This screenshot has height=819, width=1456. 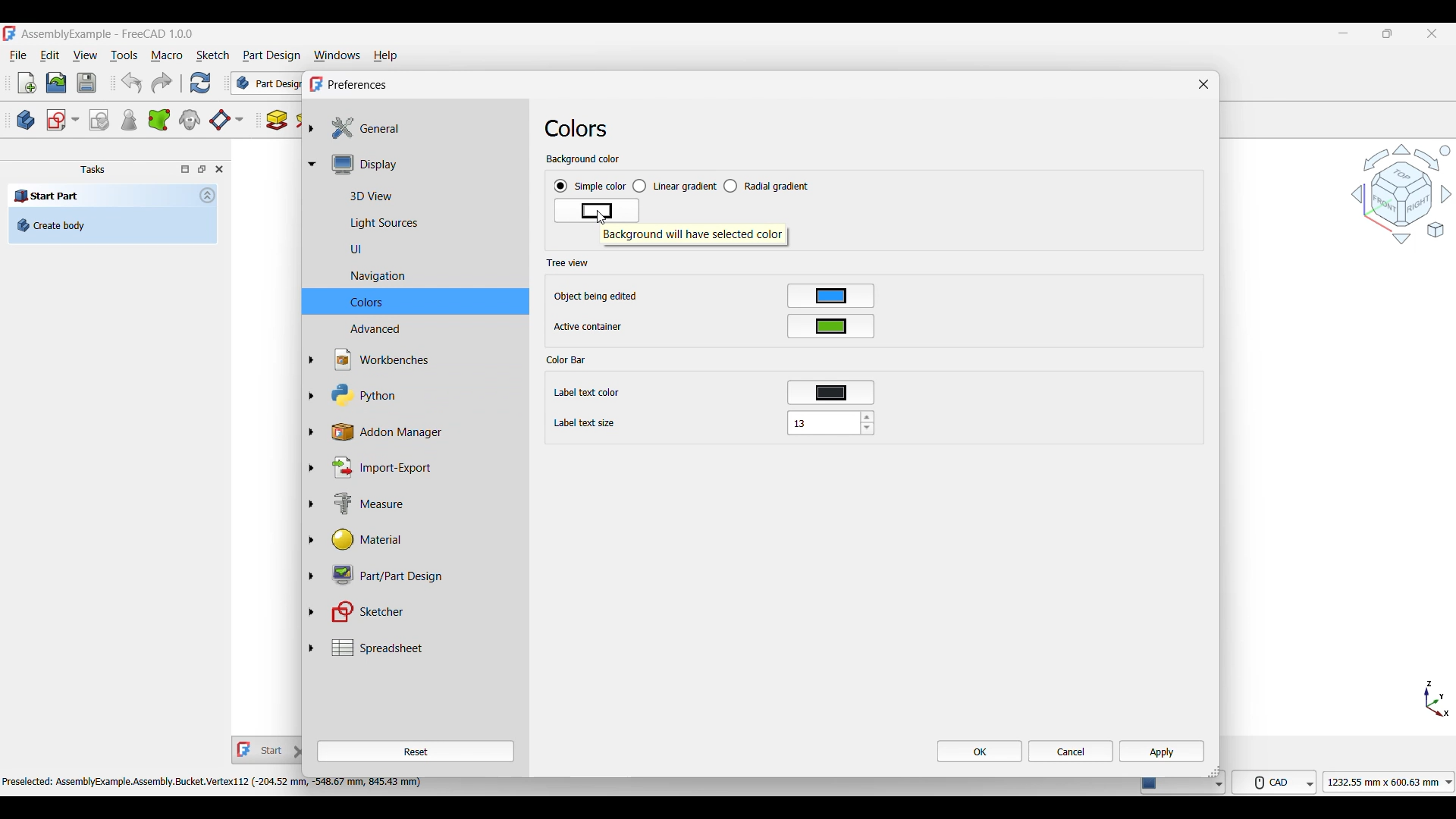 I want to click on Tasks, so click(x=93, y=170).